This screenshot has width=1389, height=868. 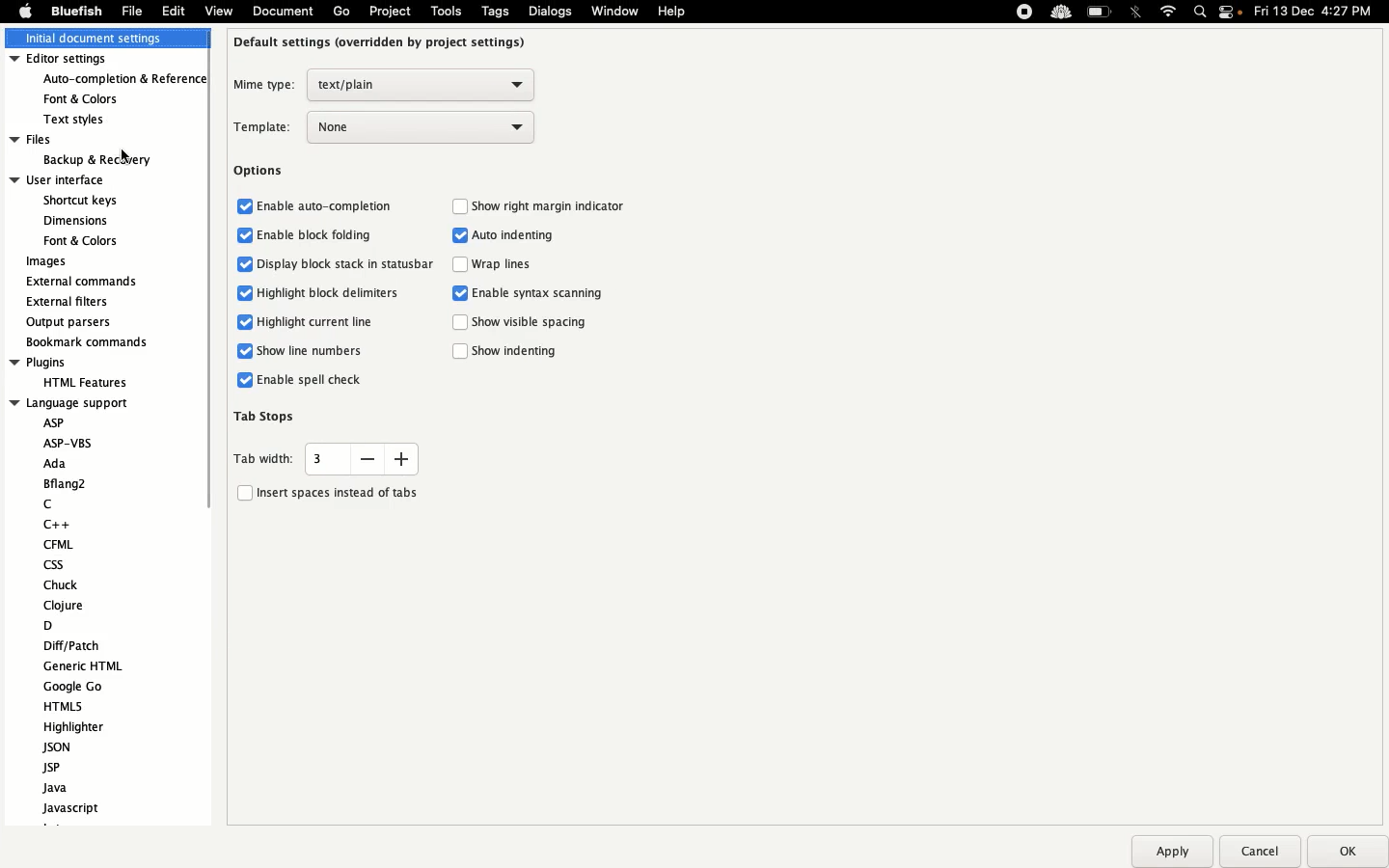 I want to click on Ok, so click(x=1347, y=852).